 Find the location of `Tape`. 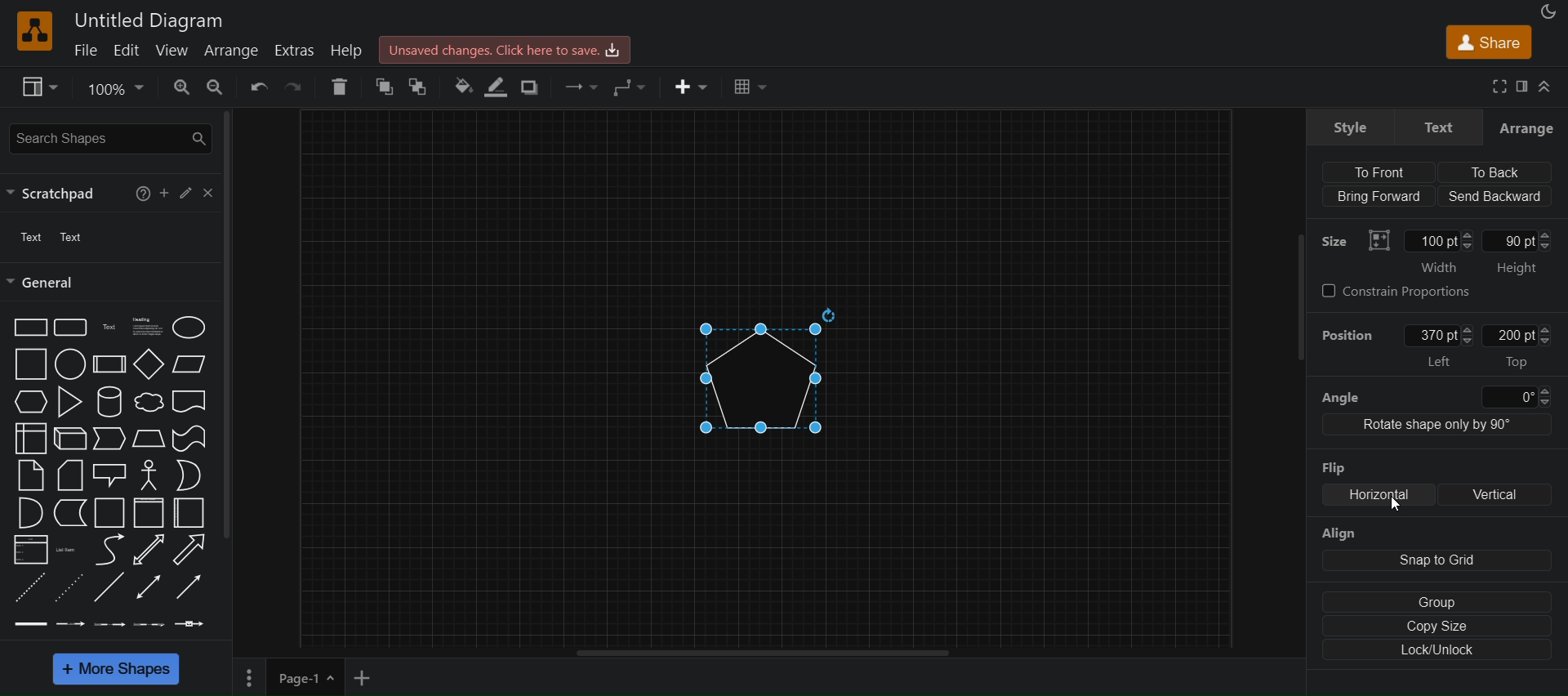

Tape is located at coordinates (189, 439).